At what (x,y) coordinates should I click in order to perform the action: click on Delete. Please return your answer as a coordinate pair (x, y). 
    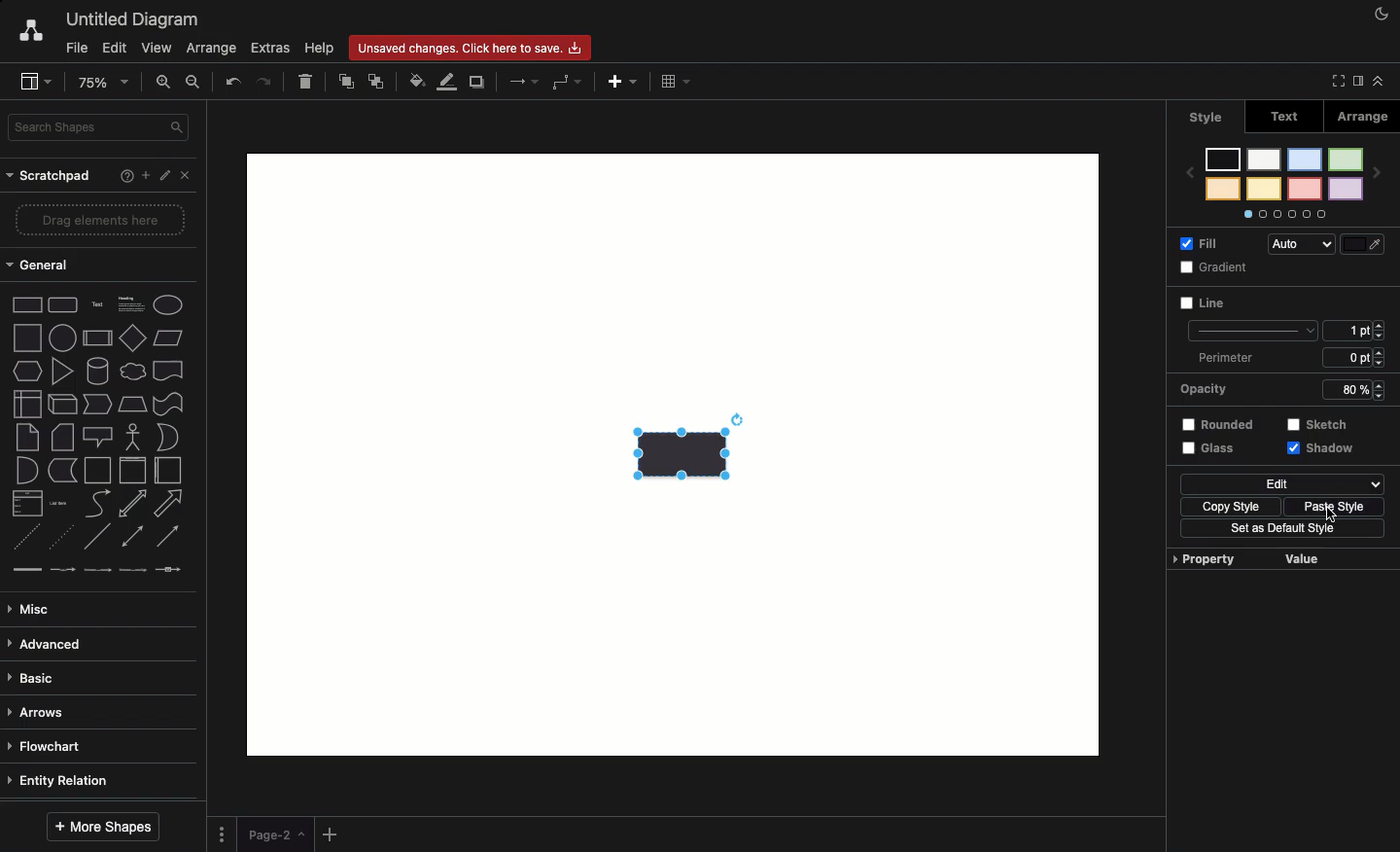
    Looking at the image, I should click on (310, 84).